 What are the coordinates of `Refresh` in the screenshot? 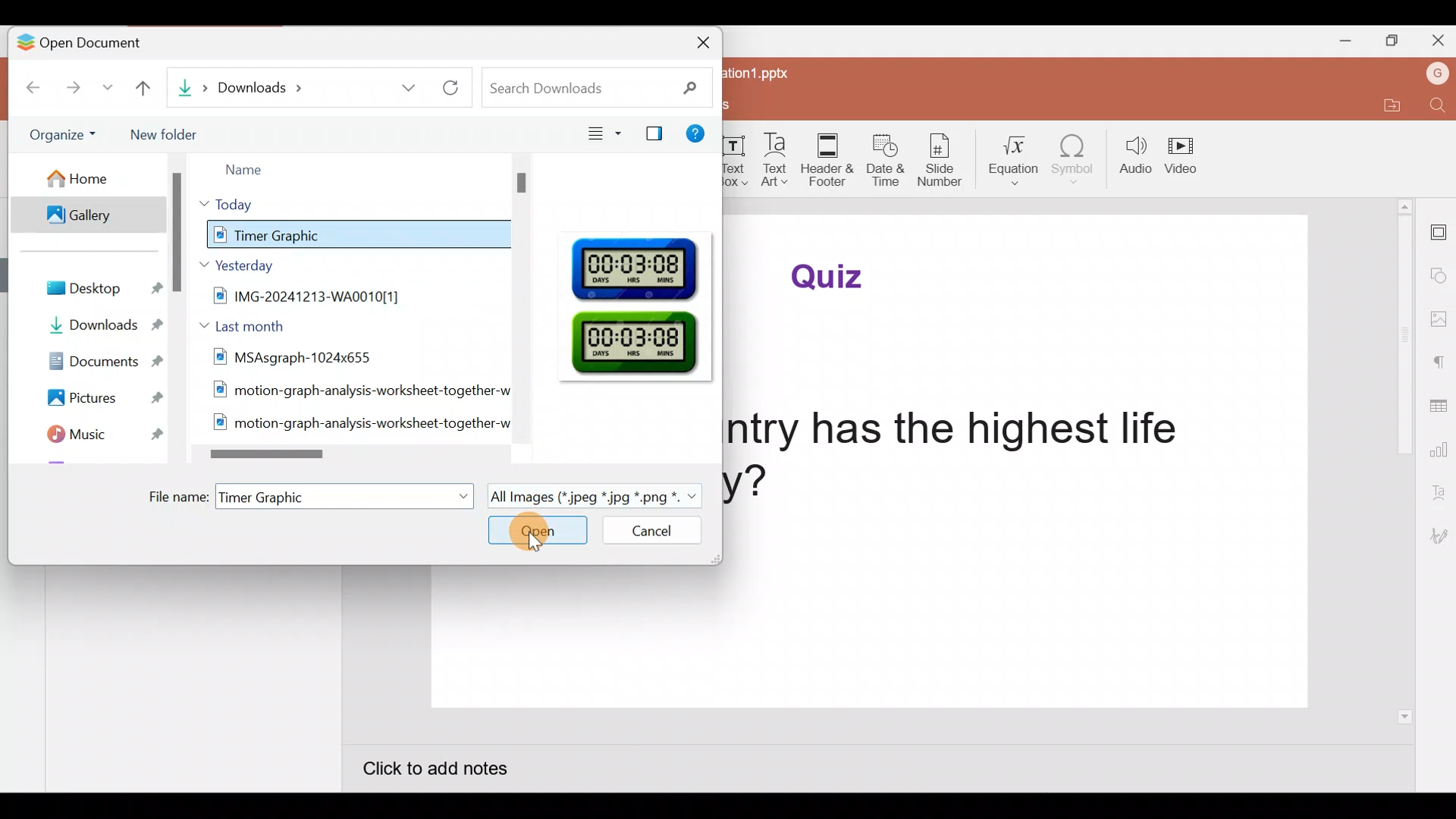 It's located at (460, 86).